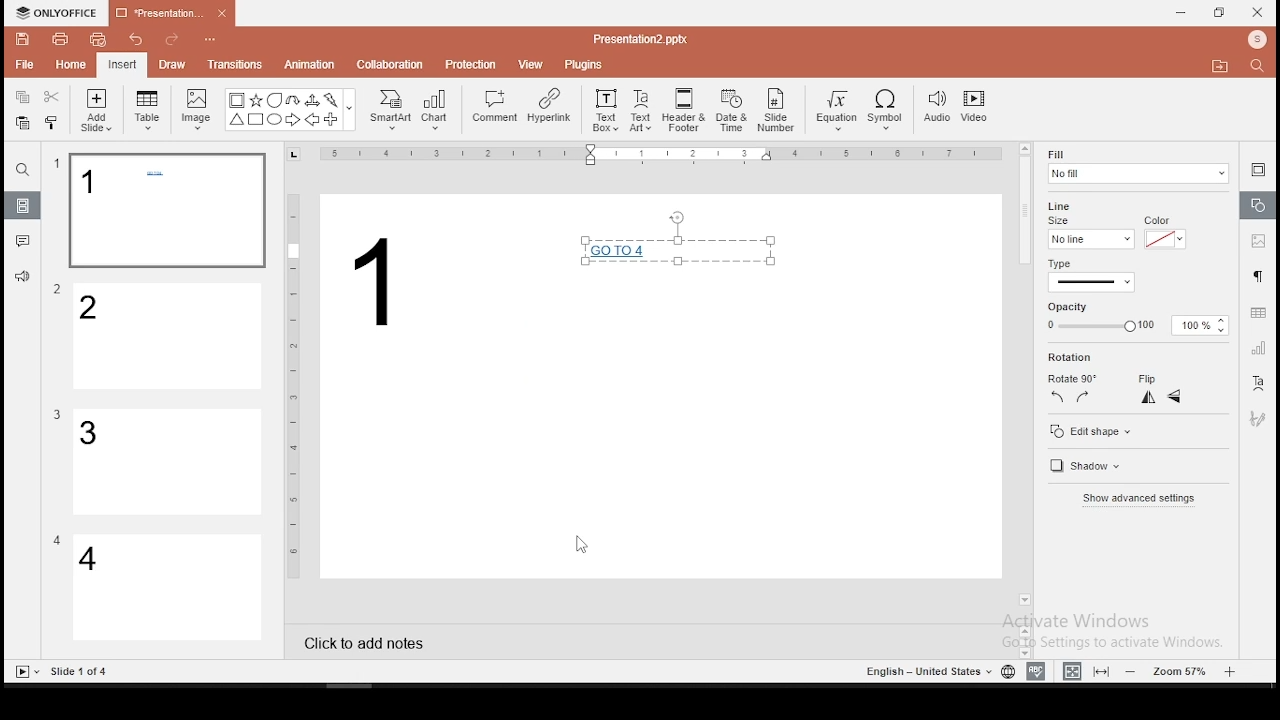 Image resolution: width=1280 pixels, height=720 pixels. What do you see at coordinates (889, 111) in the screenshot?
I see `symbol` at bounding box center [889, 111].